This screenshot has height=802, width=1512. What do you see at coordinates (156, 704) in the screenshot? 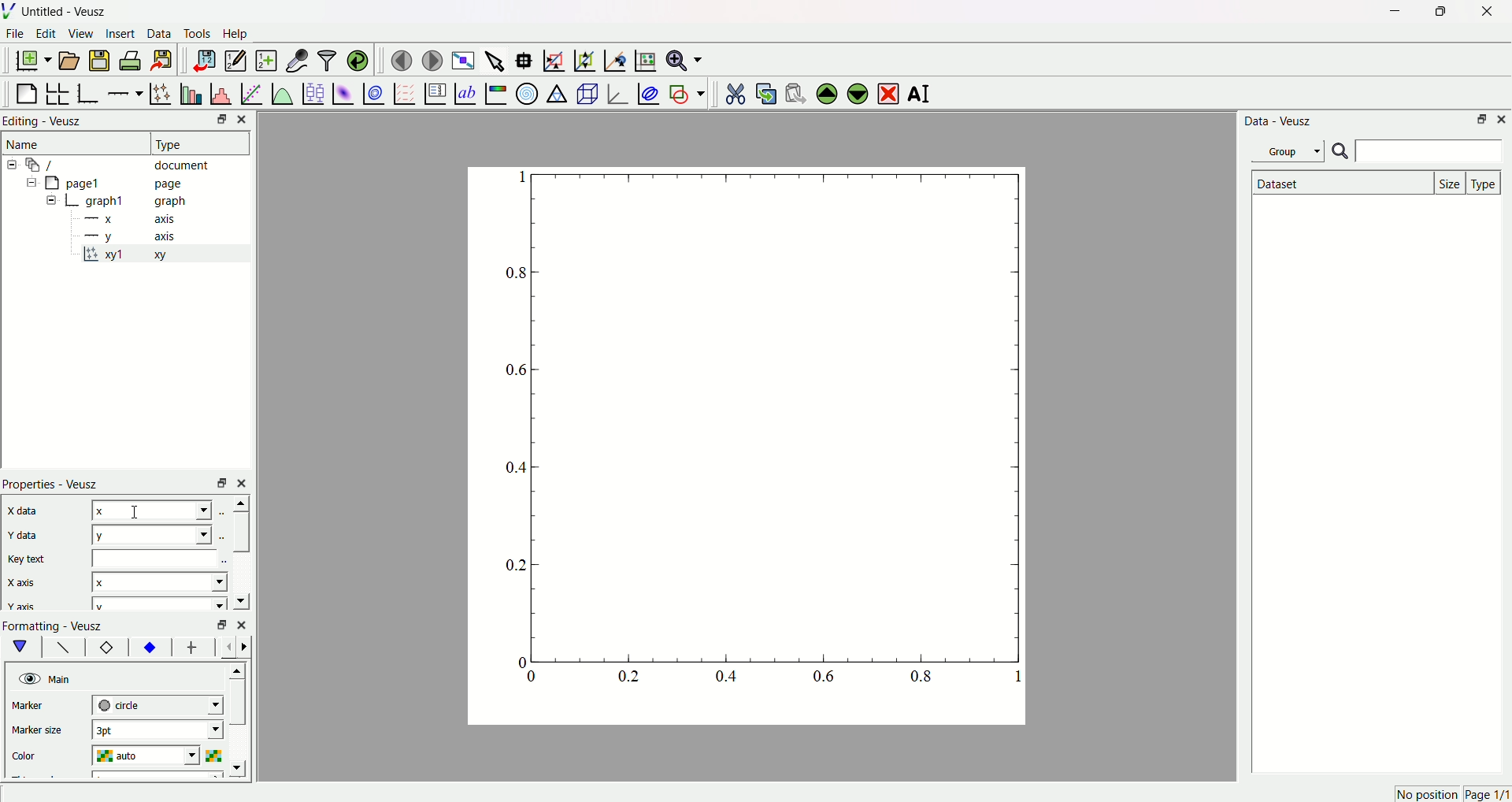
I see `circle` at bounding box center [156, 704].